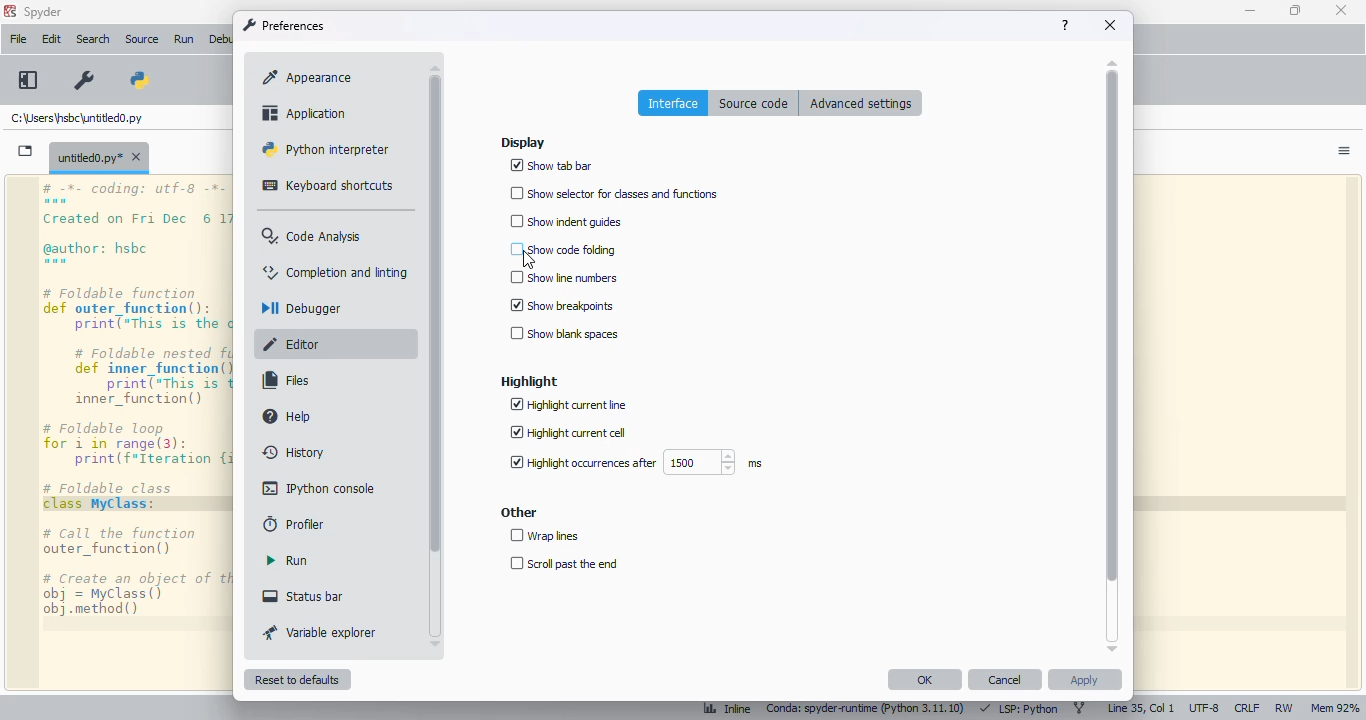 The height and width of the screenshot is (720, 1366). I want to click on status bar, so click(303, 595).